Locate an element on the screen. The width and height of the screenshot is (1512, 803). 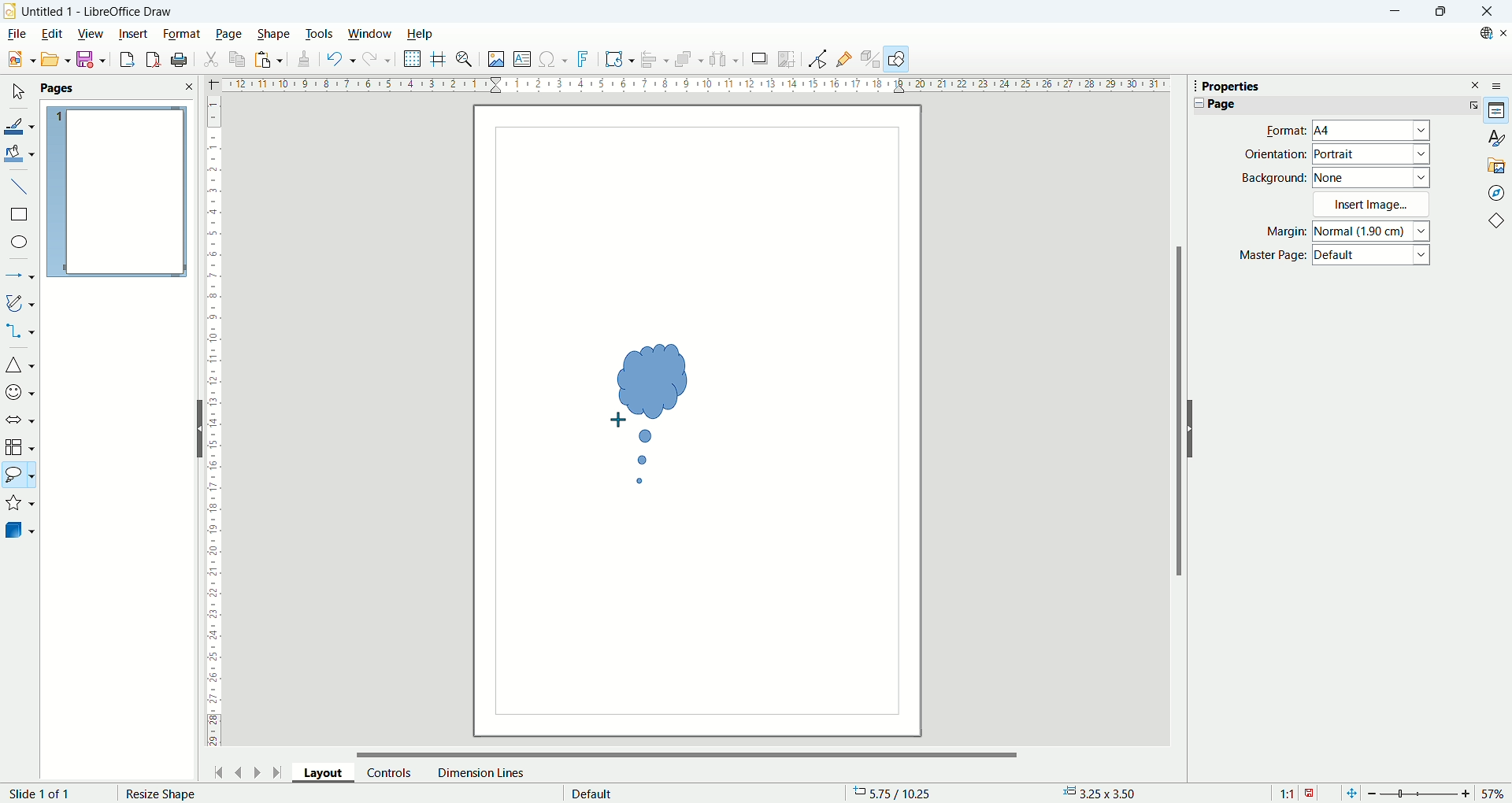
callout shapes is located at coordinates (19, 477).